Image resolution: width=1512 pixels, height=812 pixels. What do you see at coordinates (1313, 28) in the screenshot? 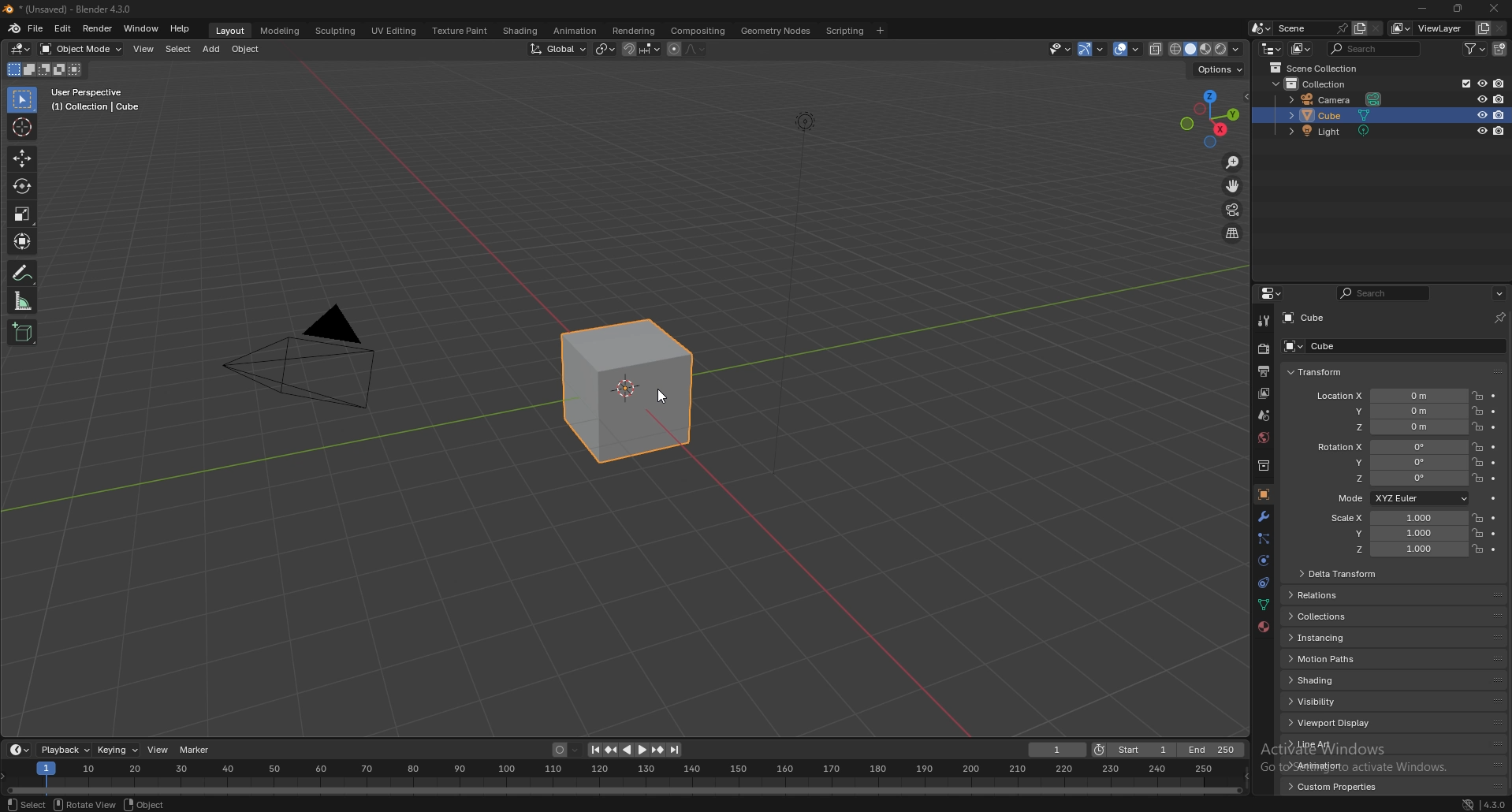
I see `scene` at bounding box center [1313, 28].